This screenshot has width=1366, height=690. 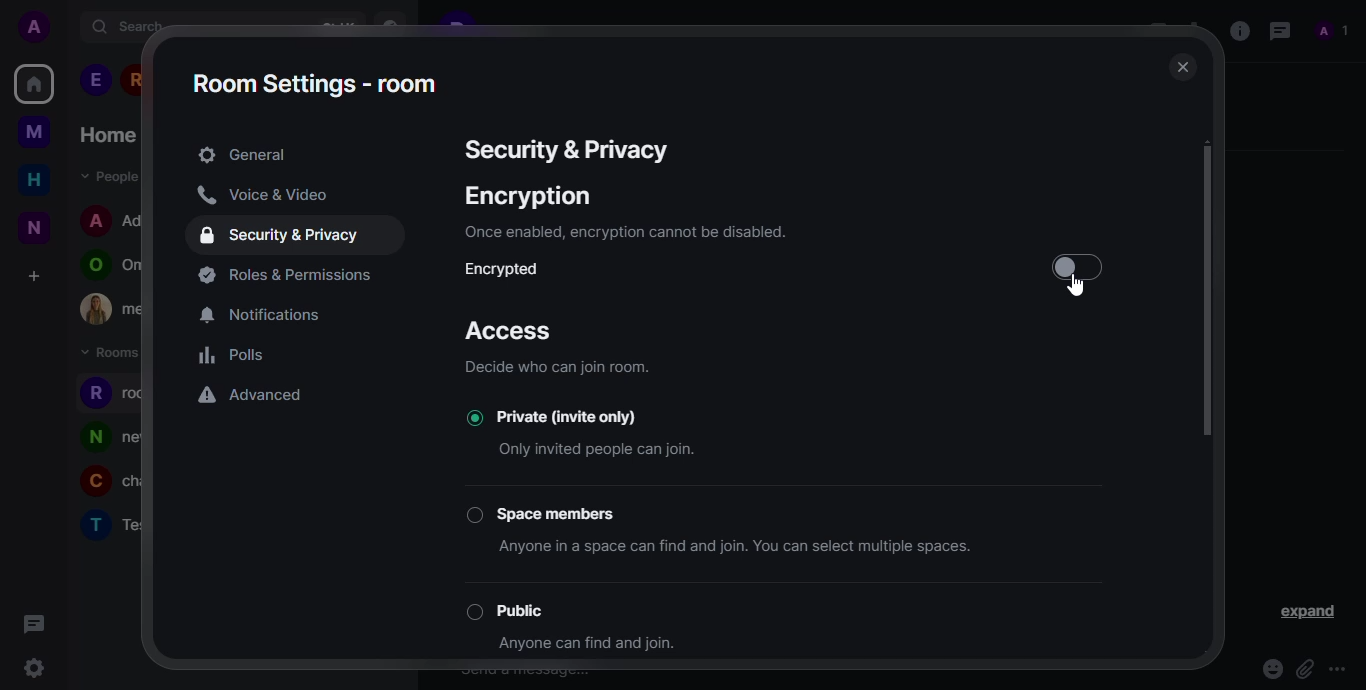 What do you see at coordinates (511, 612) in the screenshot?
I see `public button` at bounding box center [511, 612].